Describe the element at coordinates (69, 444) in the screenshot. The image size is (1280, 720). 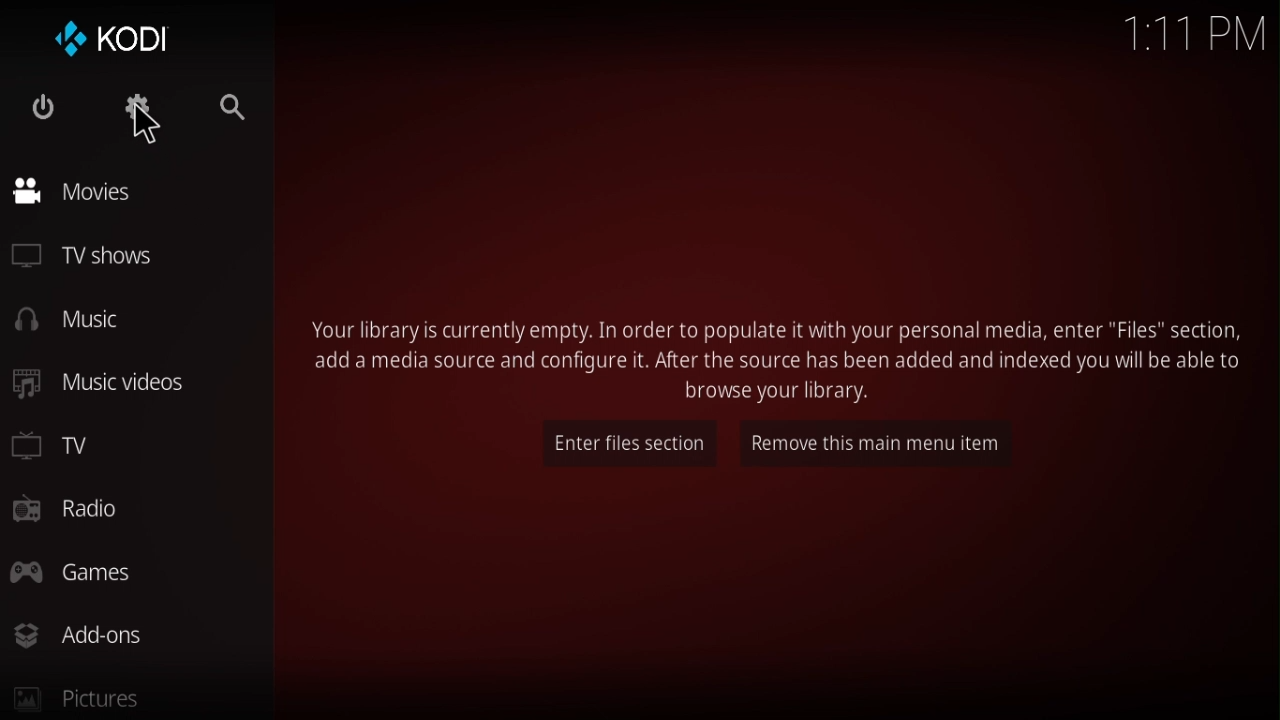
I see `TV` at that location.